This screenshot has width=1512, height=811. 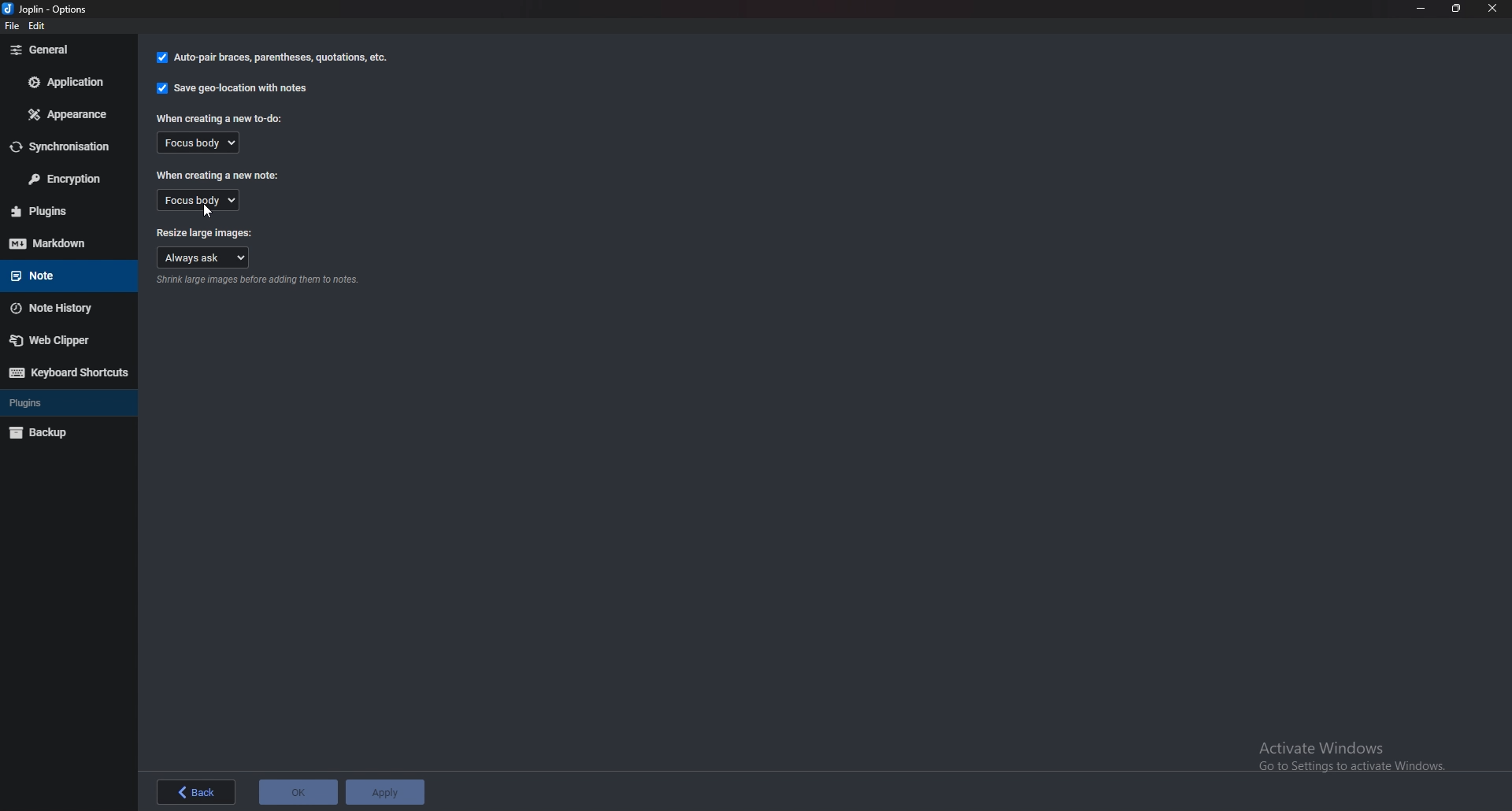 I want to click on edit, so click(x=40, y=28).